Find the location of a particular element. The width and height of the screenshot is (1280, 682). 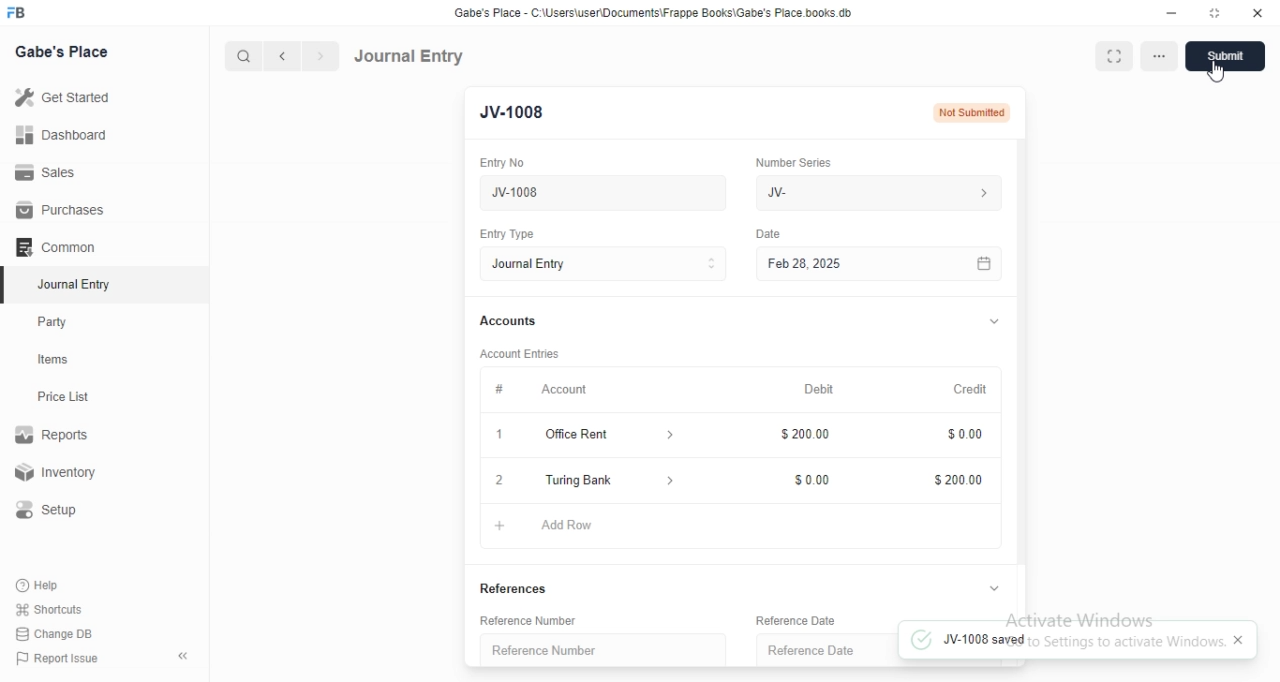

Account Entries. is located at coordinates (526, 353).